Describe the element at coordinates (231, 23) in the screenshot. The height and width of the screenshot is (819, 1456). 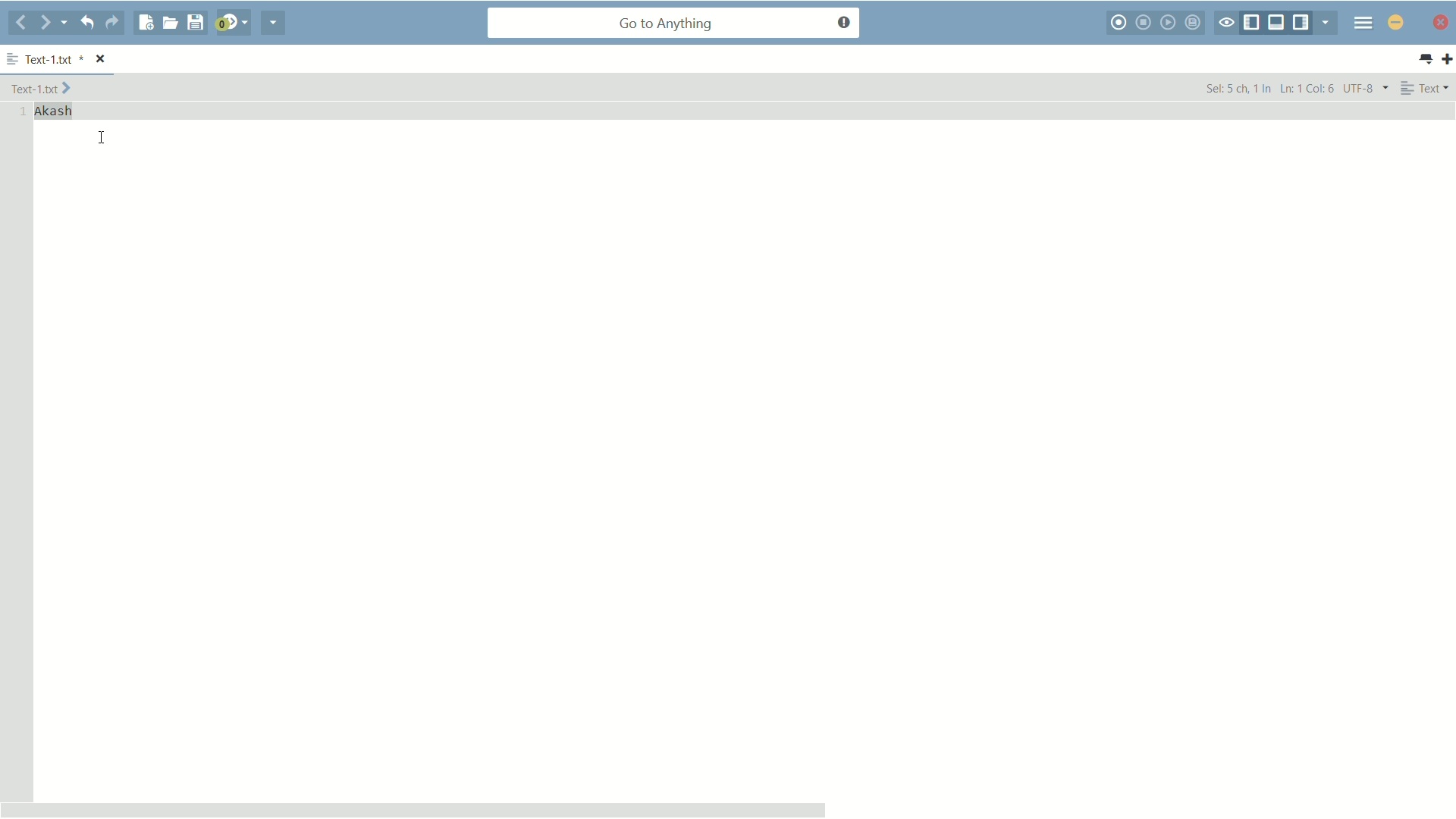
I see `jump to next syntax checking result` at that location.